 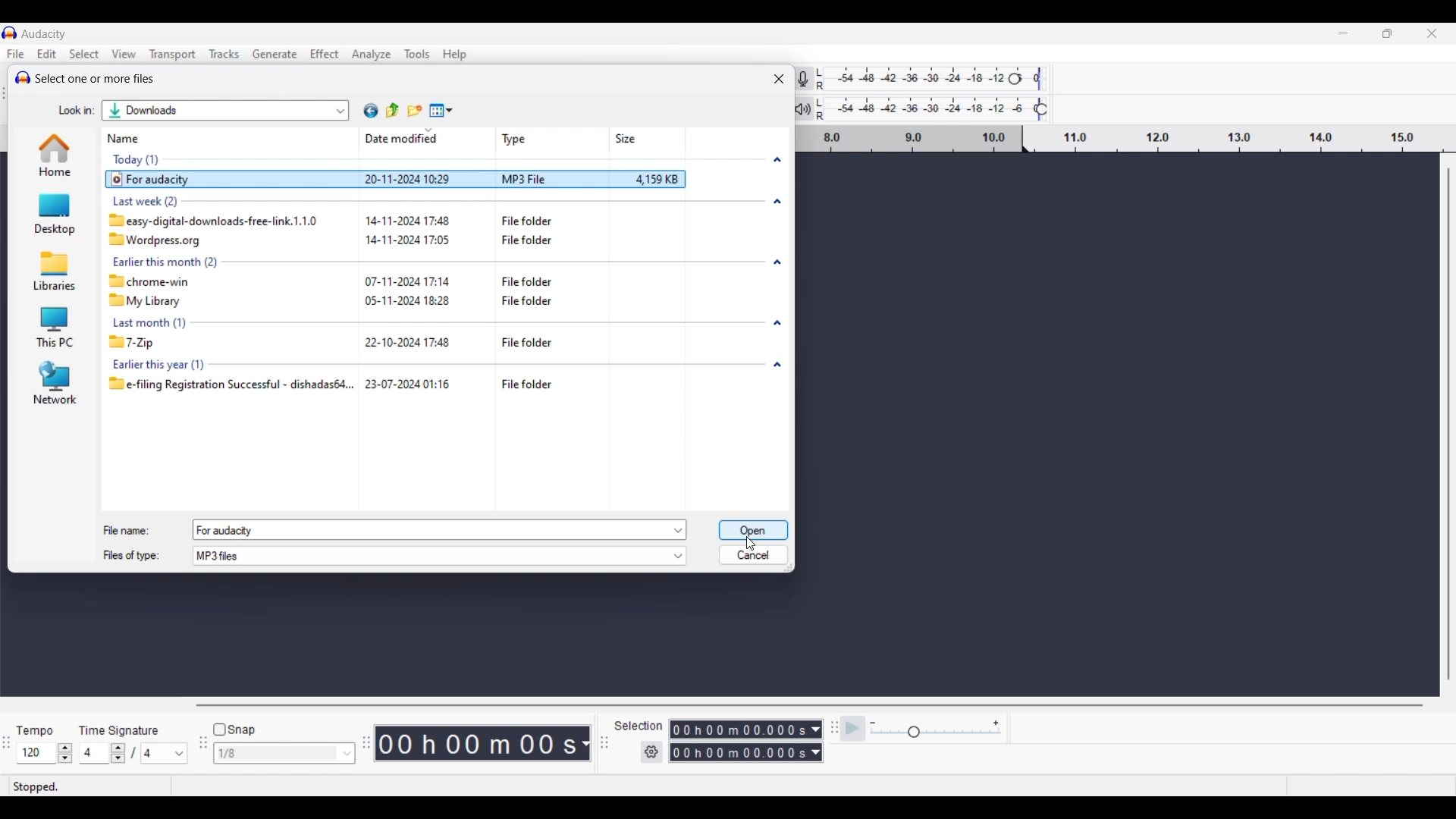 I want to click on Status of recording, so click(x=71, y=786).